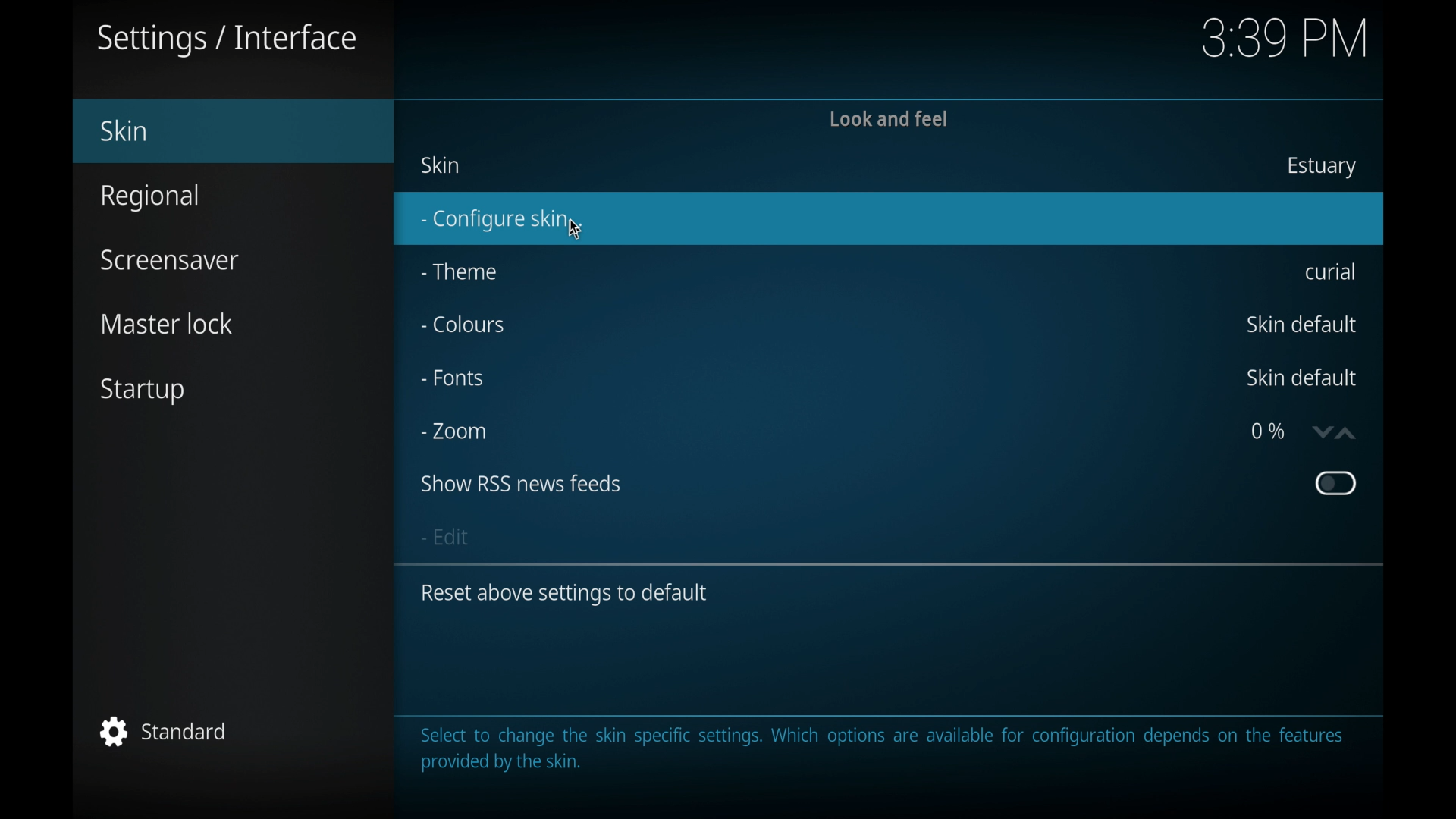  What do you see at coordinates (1335, 483) in the screenshot?
I see `toggle button` at bounding box center [1335, 483].